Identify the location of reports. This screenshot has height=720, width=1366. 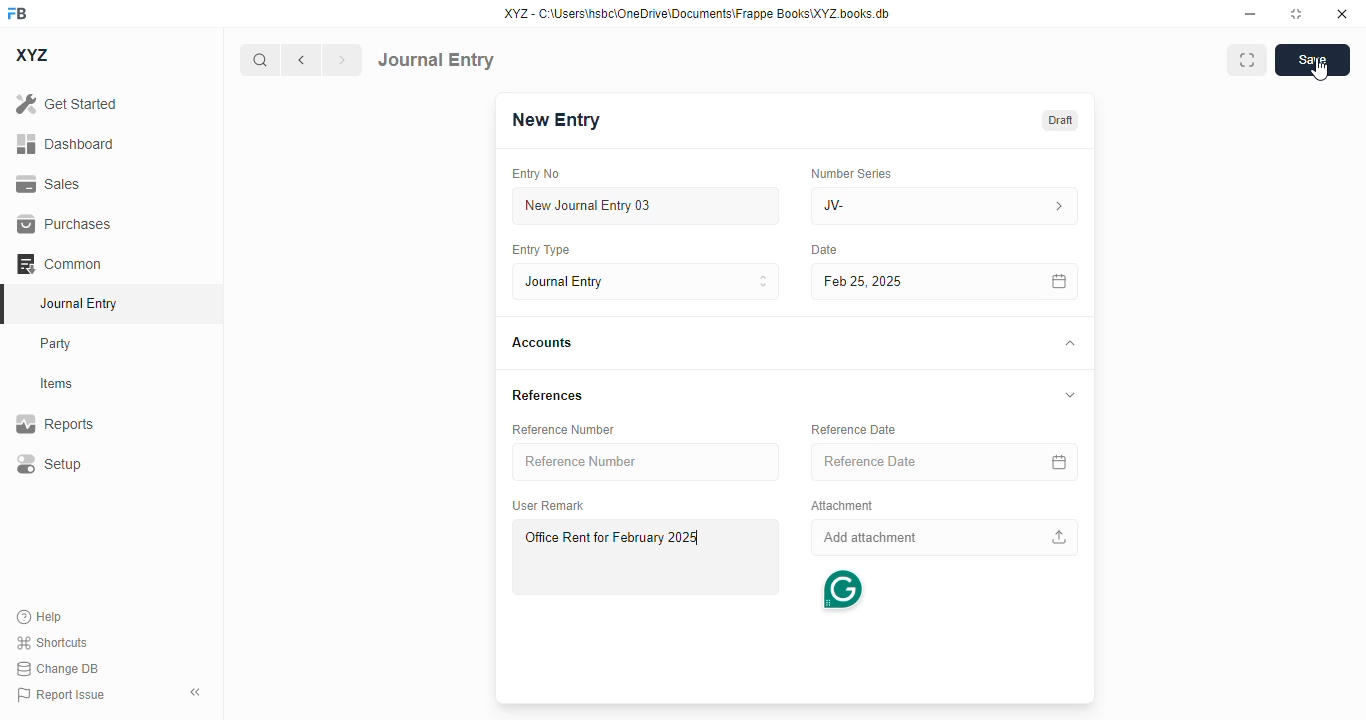
(55, 423).